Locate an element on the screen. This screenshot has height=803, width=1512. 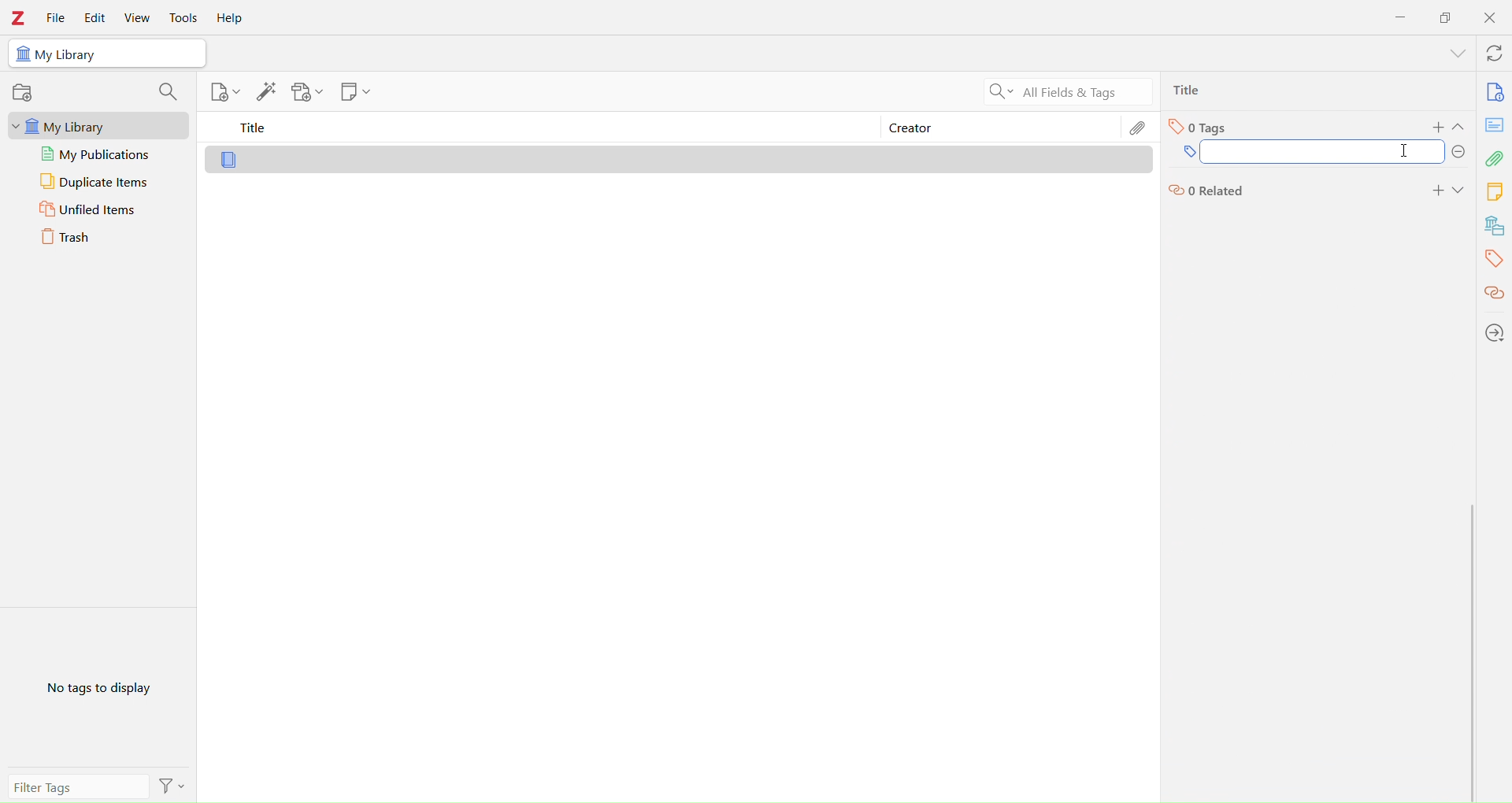
No Tags to Display is located at coordinates (106, 689).